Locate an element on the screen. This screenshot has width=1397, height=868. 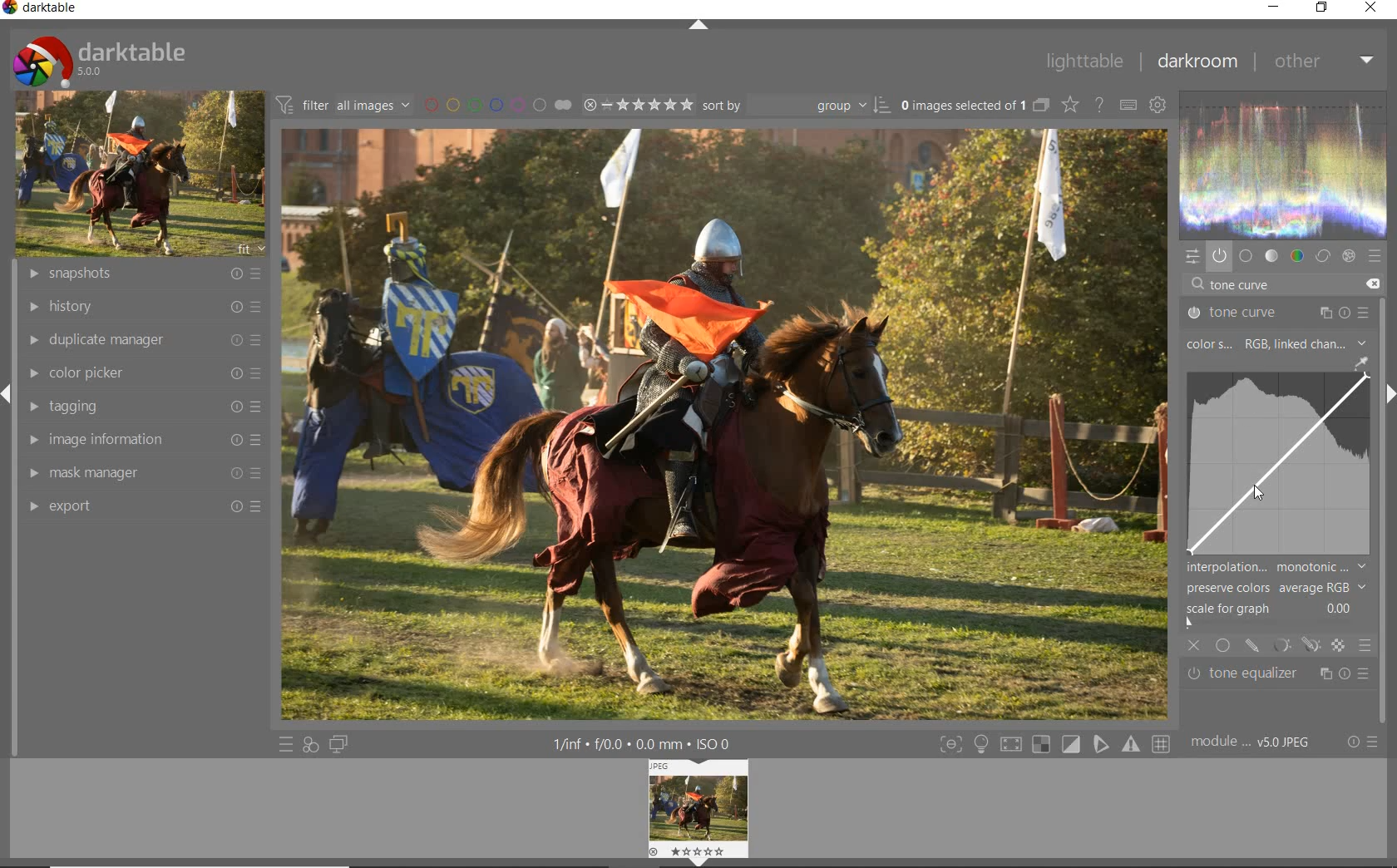
interpolation is located at coordinates (1276, 567).